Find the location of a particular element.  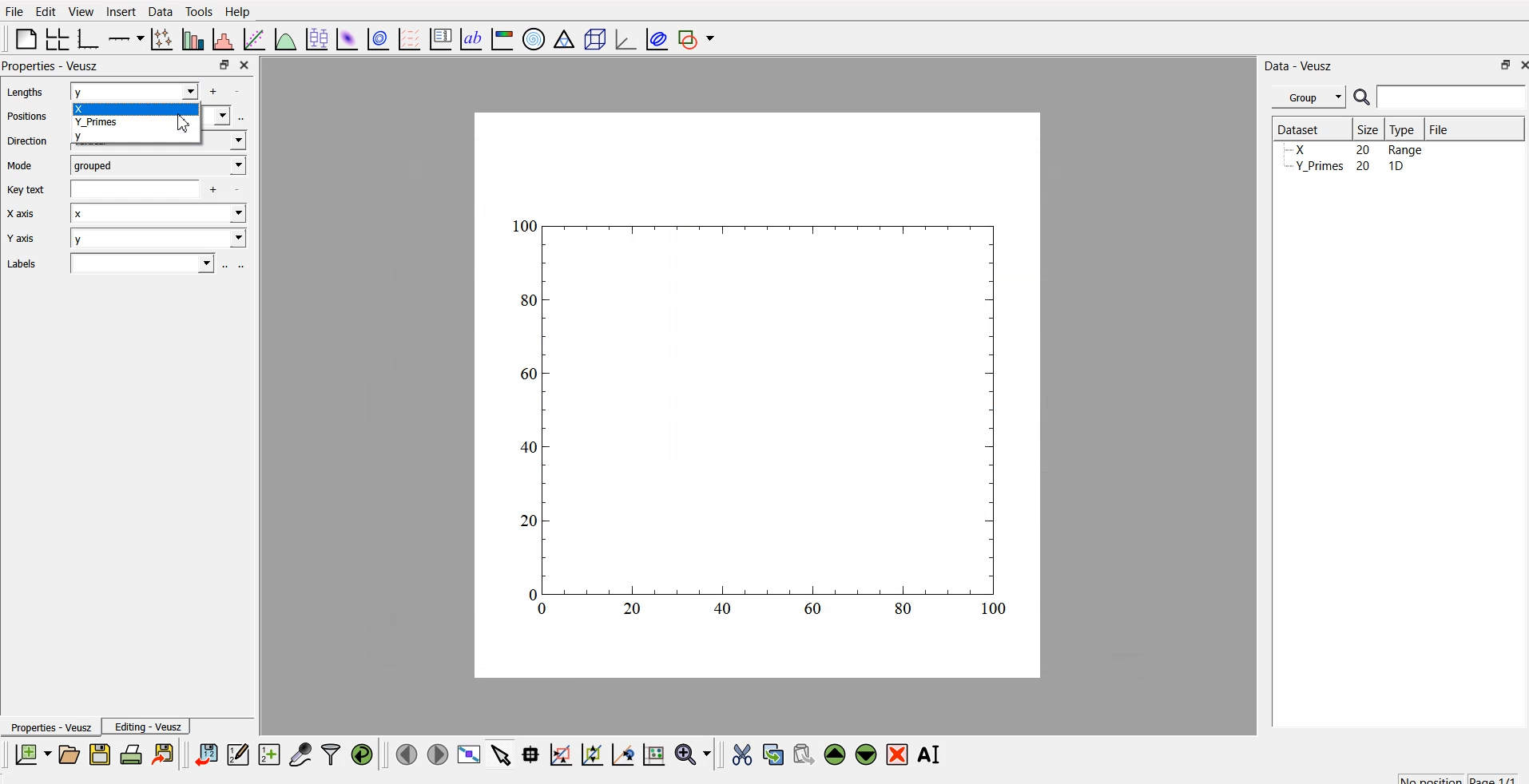

lengths is located at coordinates (22, 93).